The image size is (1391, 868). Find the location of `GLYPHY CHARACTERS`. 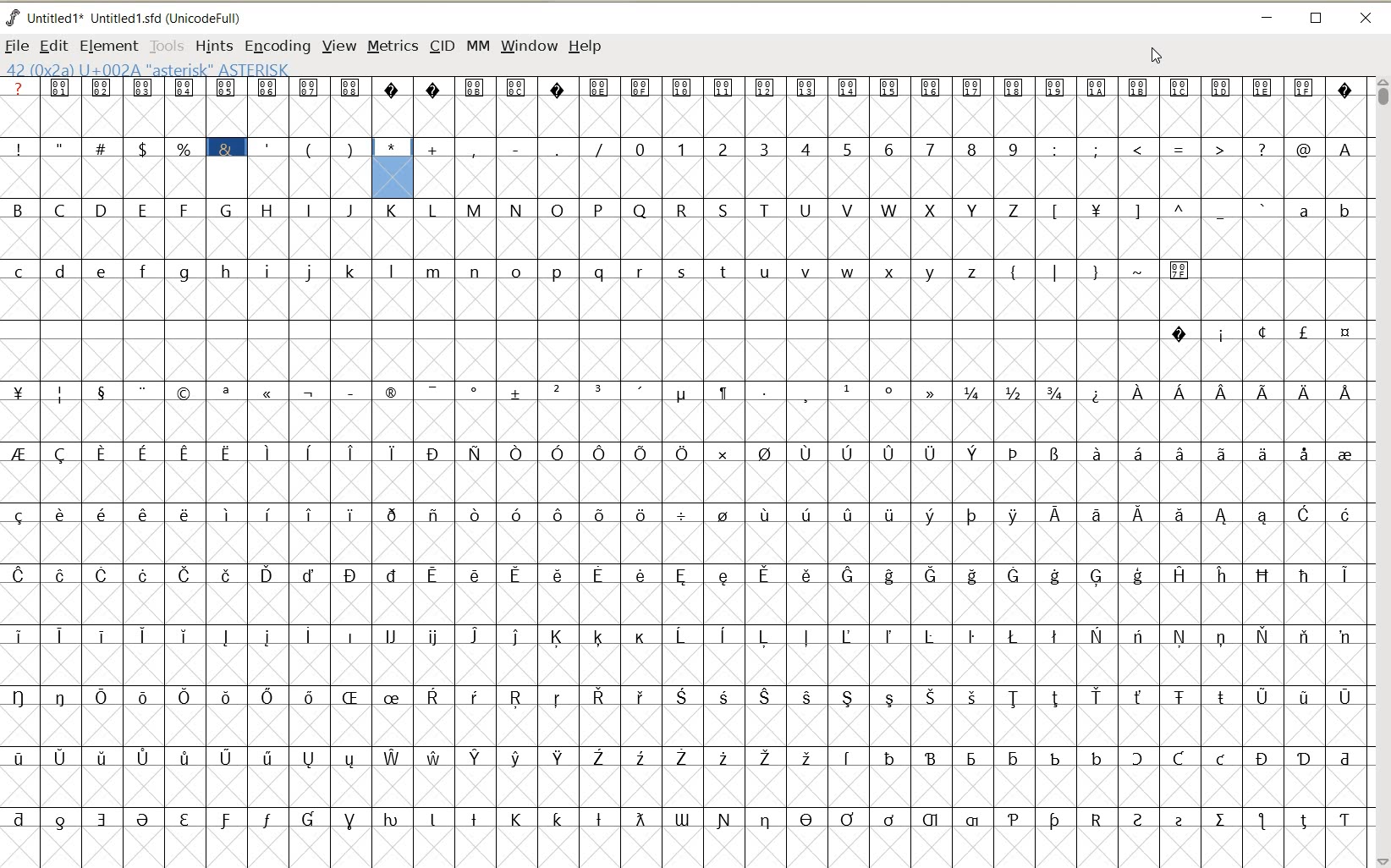

GLYPHY CHARACTERS is located at coordinates (206, 532).